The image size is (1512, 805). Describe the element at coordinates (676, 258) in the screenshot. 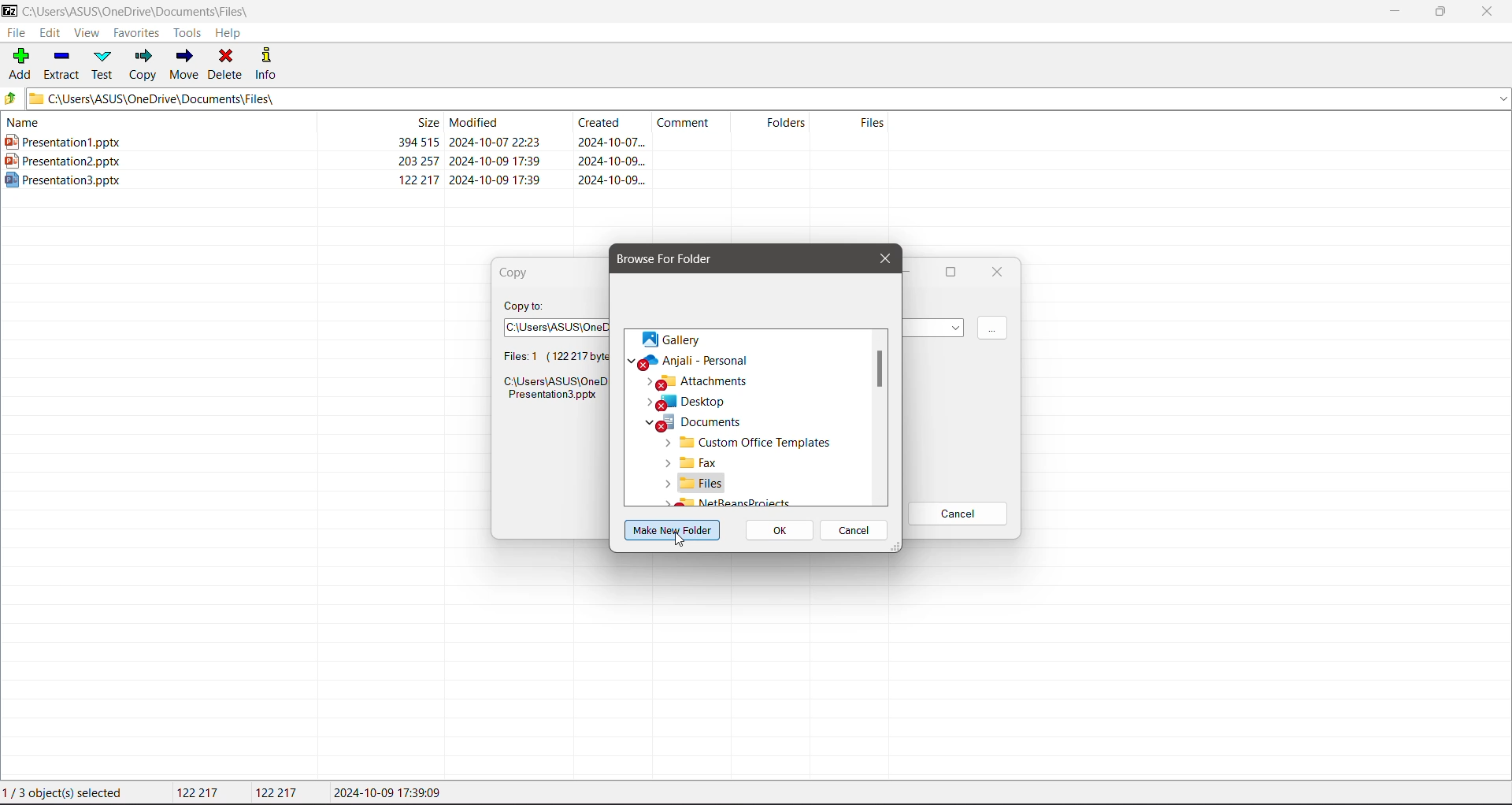

I see `Browse for Folder` at that location.